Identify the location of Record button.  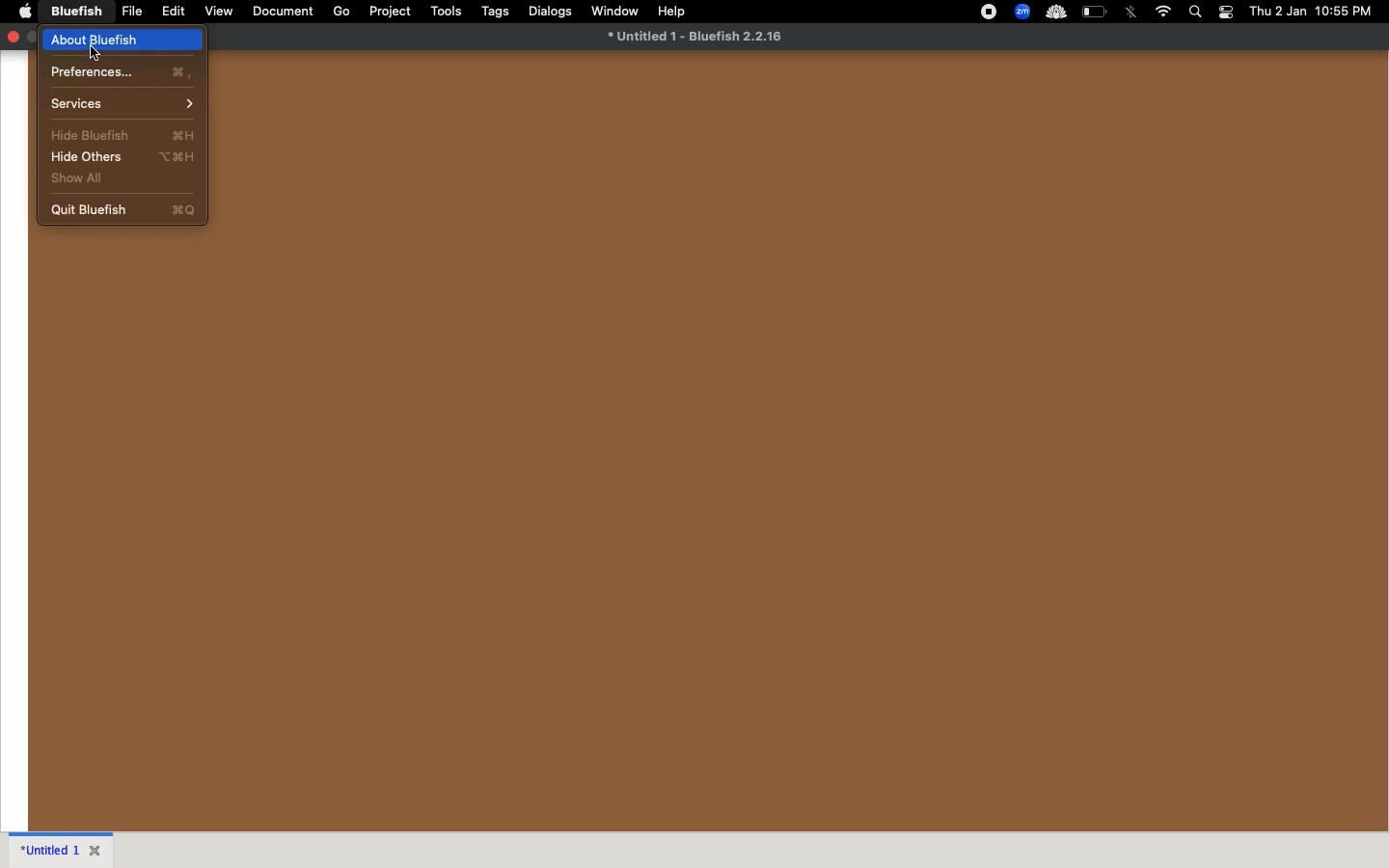
(988, 12).